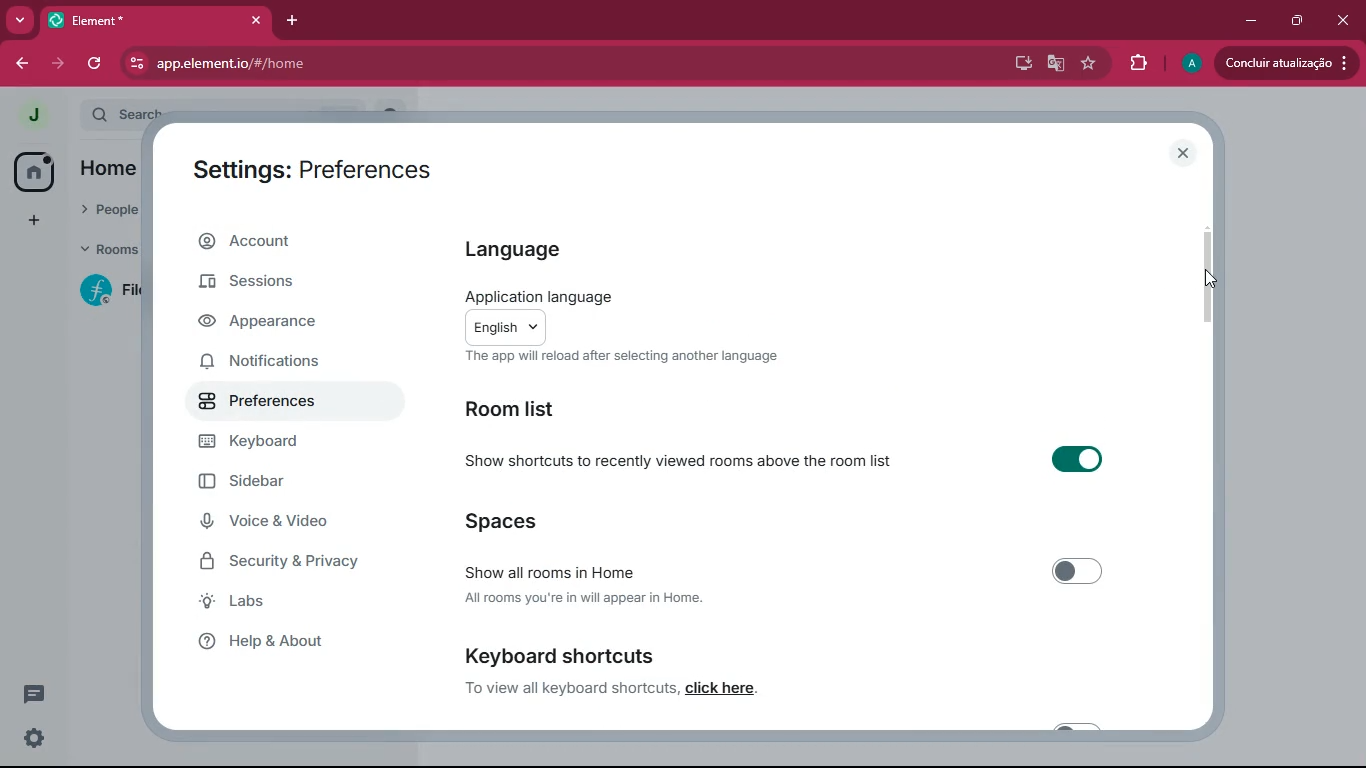 This screenshot has height=768, width=1366. What do you see at coordinates (567, 690) in the screenshot?
I see `To view all keyboard shortcuts,` at bounding box center [567, 690].